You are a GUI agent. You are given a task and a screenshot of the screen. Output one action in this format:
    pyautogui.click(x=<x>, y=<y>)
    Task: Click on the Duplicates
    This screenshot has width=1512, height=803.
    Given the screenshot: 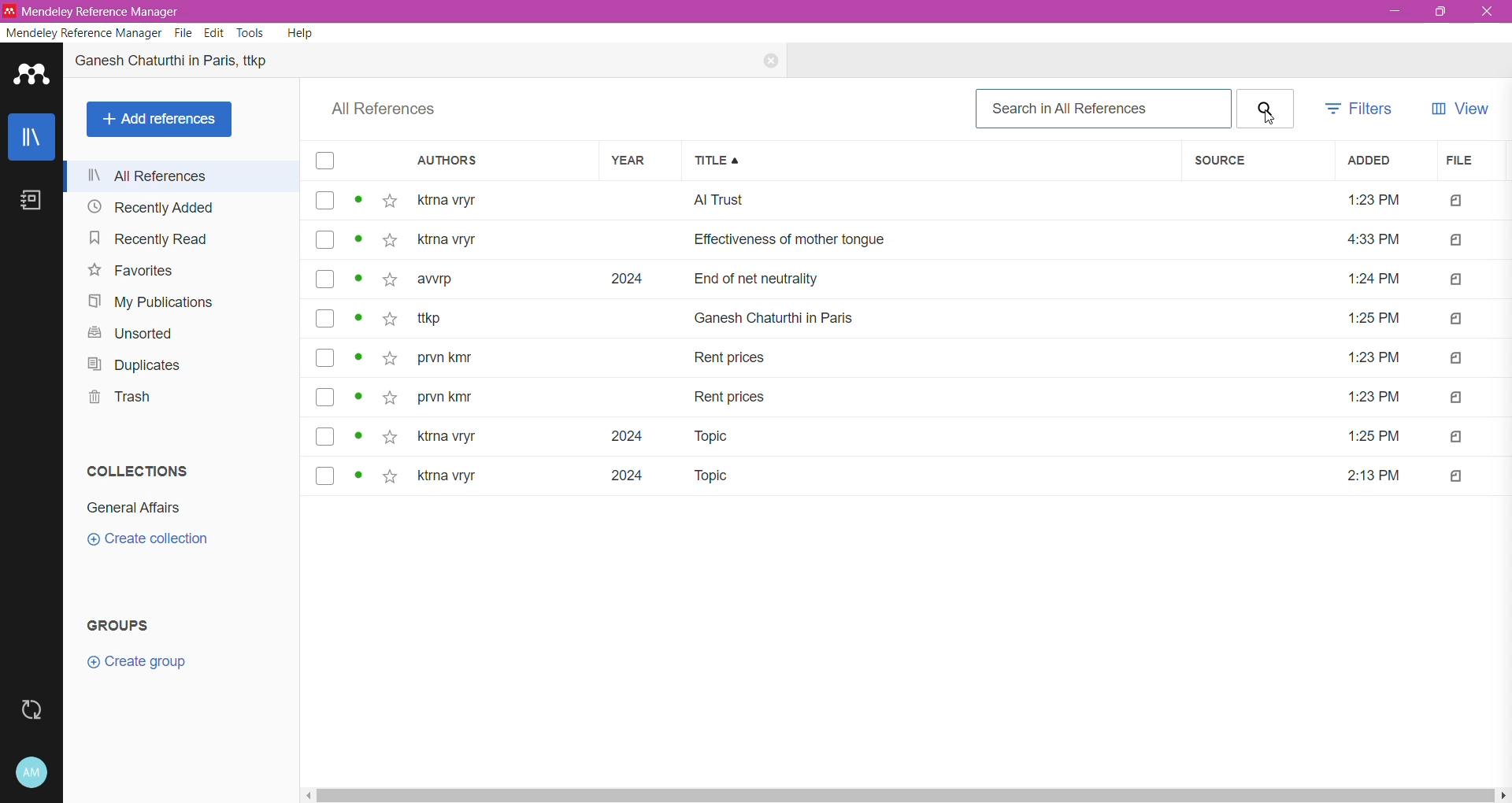 What is the action you would take?
    pyautogui.click(x=132, y=365)
    